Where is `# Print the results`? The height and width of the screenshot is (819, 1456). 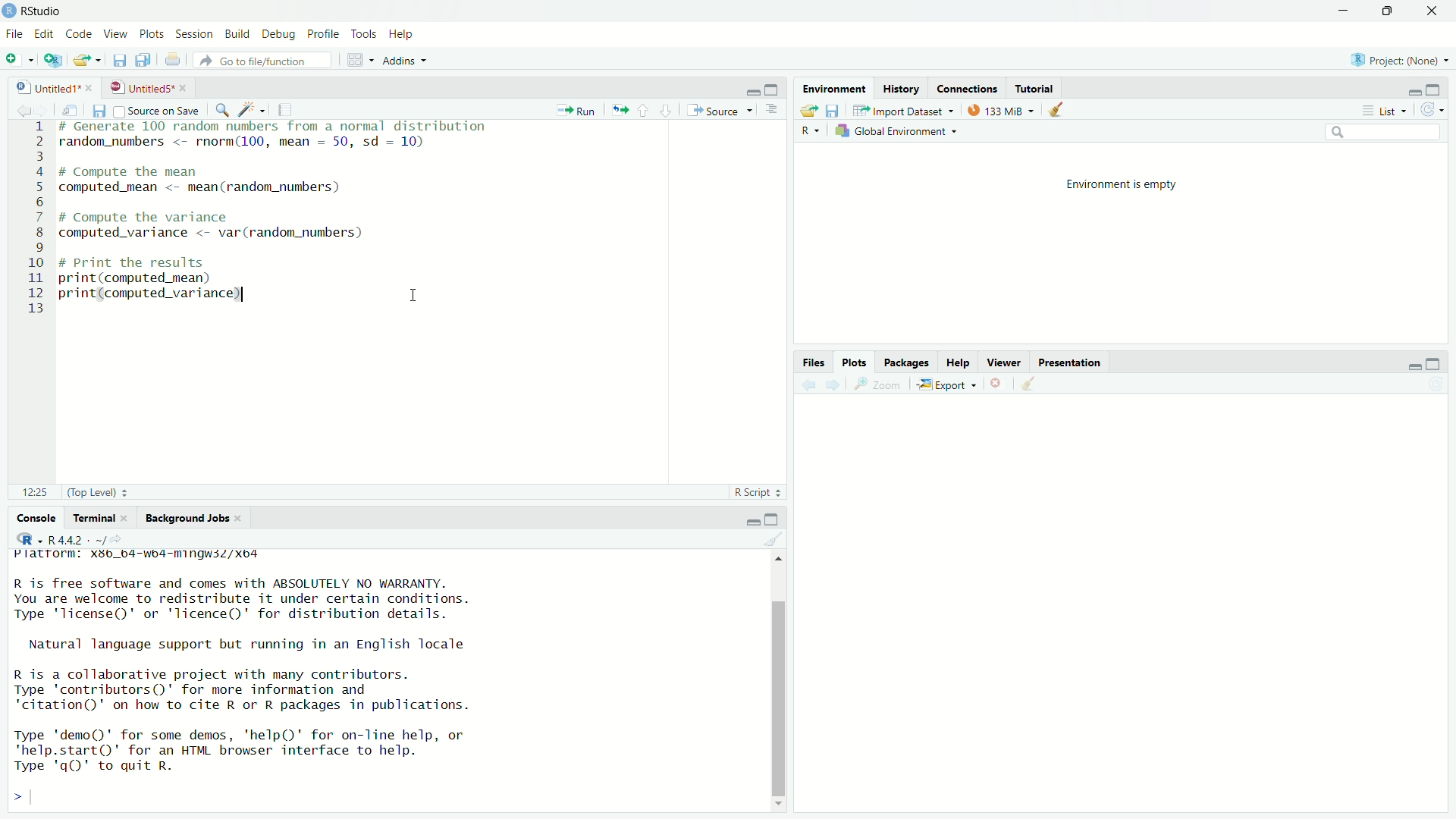
# Print the results is located at coordinates (168, 264).